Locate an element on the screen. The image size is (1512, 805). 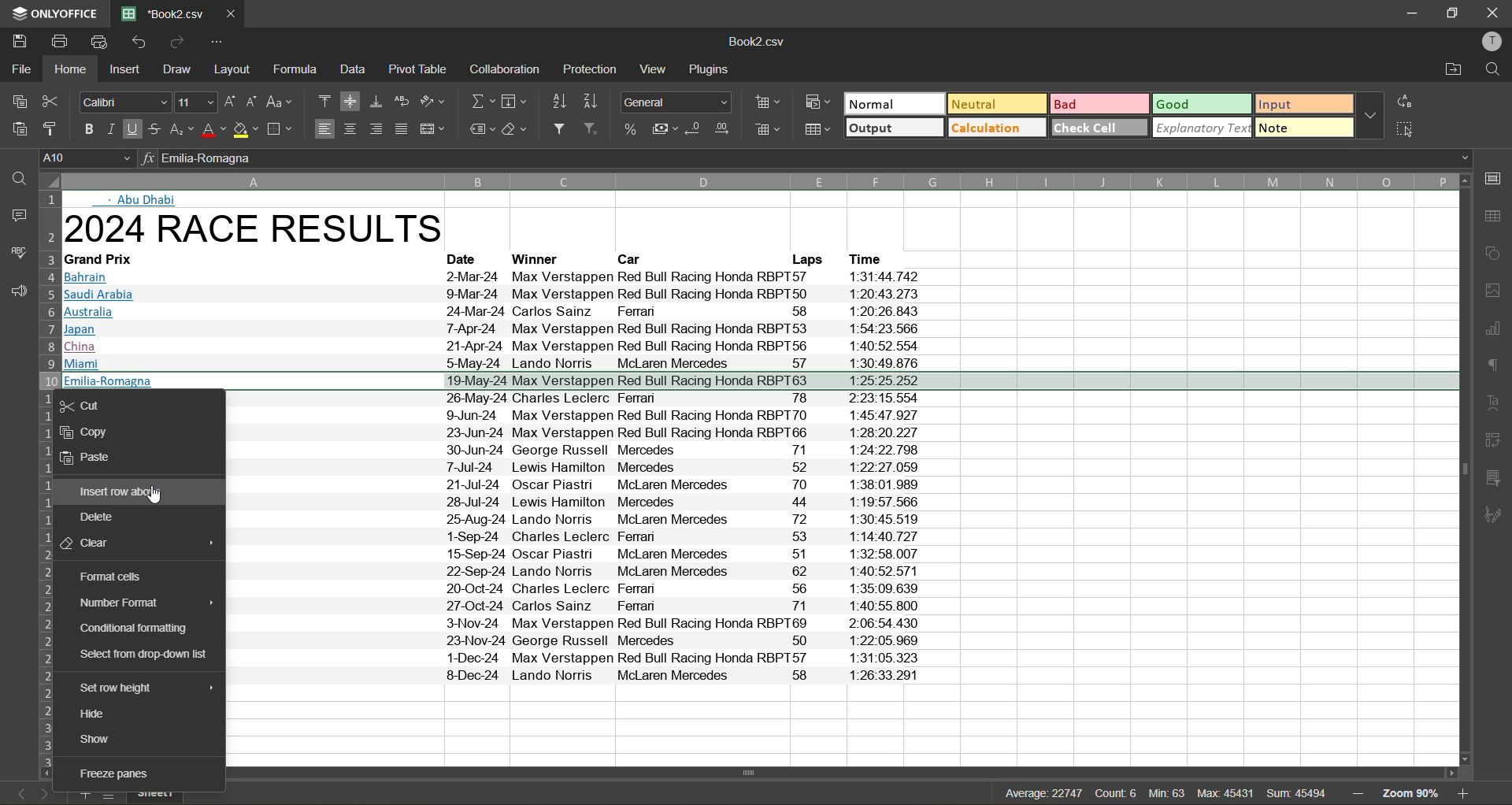
italic is located at coordinates (110, 129).